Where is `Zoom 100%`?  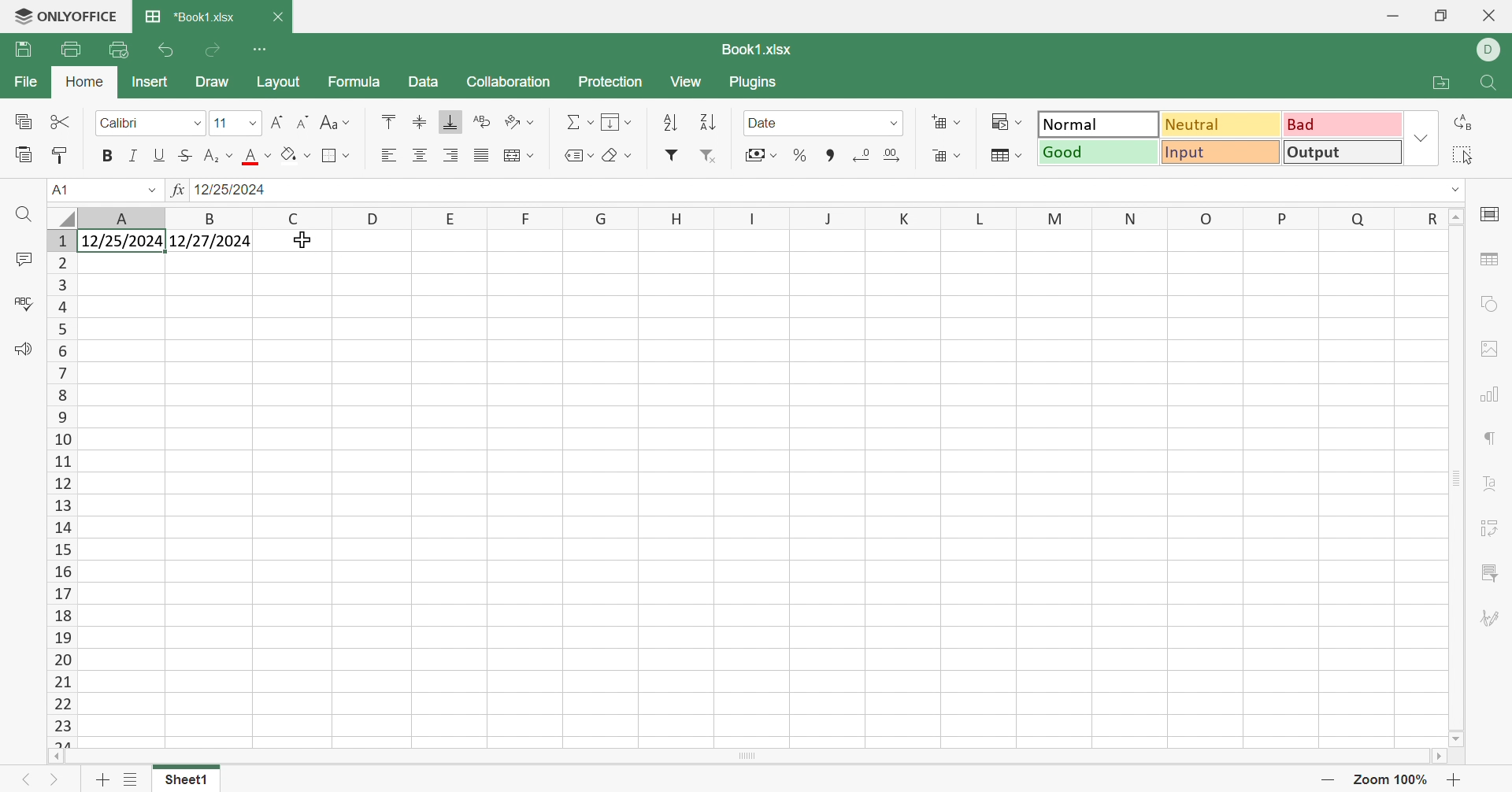 Zoom 100% is located at coordinates (1395, 780).